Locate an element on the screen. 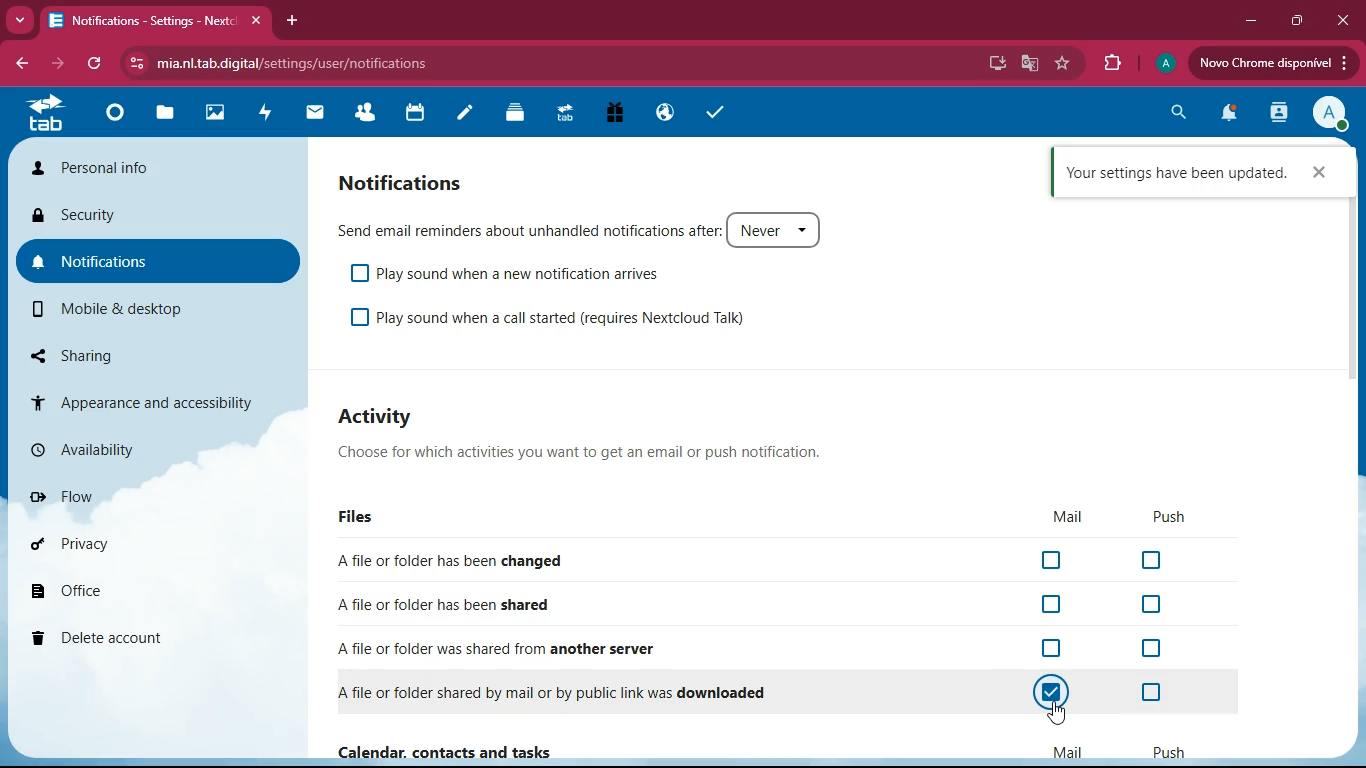  flow is located at coordinates (137, 493).